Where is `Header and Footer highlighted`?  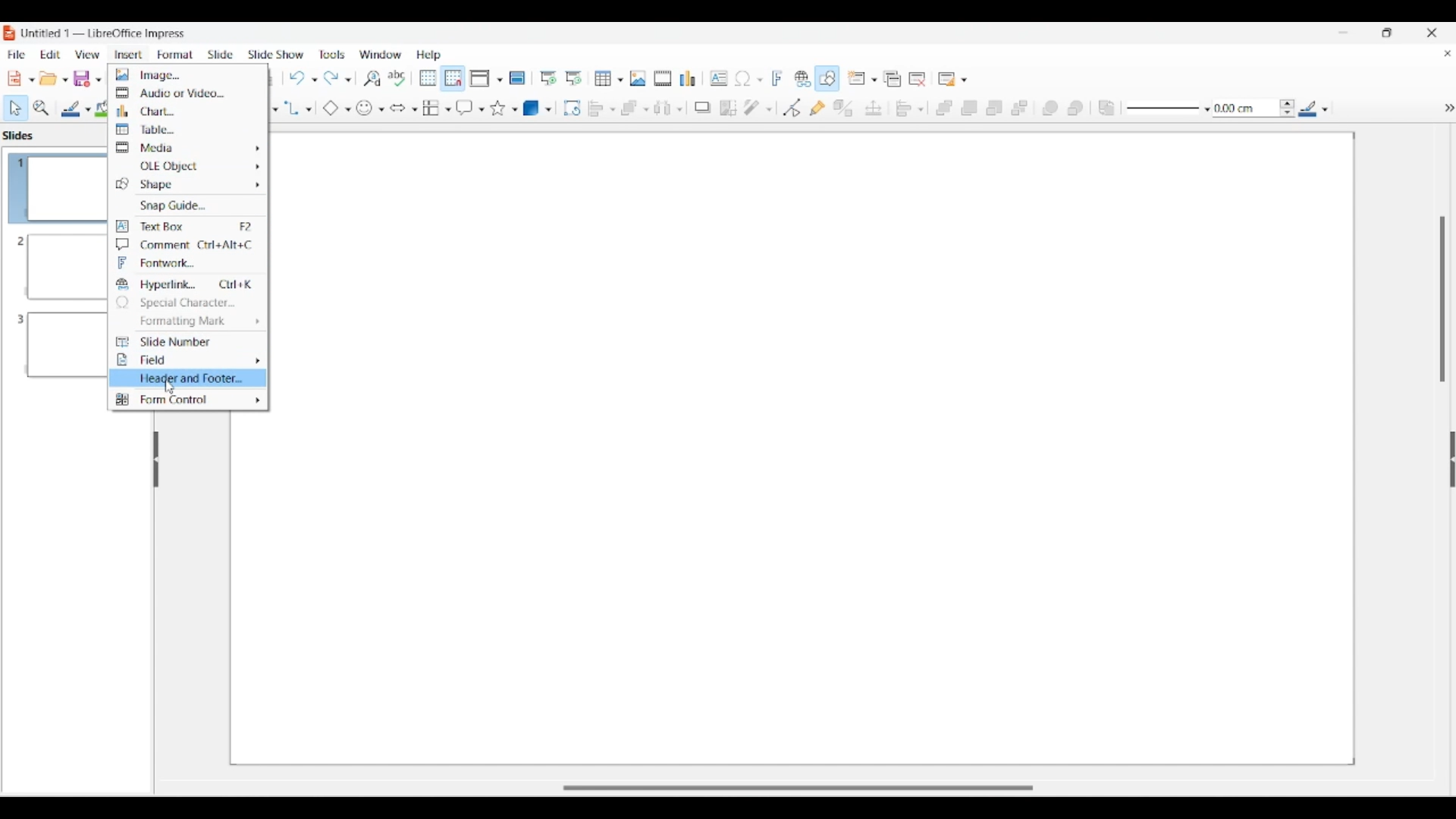 Header and Footer highlighted is located at coordinates (187, 378).